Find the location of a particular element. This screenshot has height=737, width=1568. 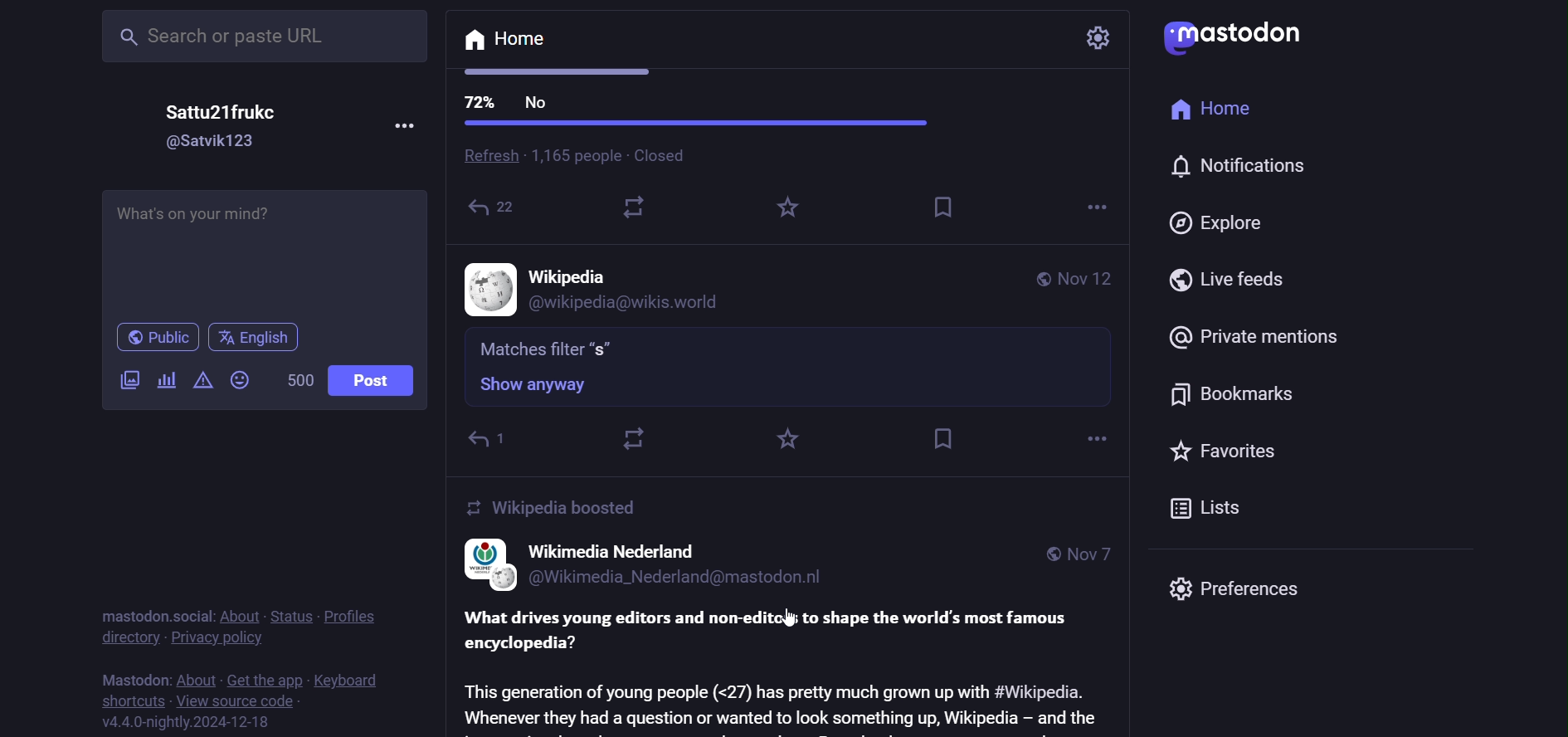

keyboard is located at coordinates (348, 680).